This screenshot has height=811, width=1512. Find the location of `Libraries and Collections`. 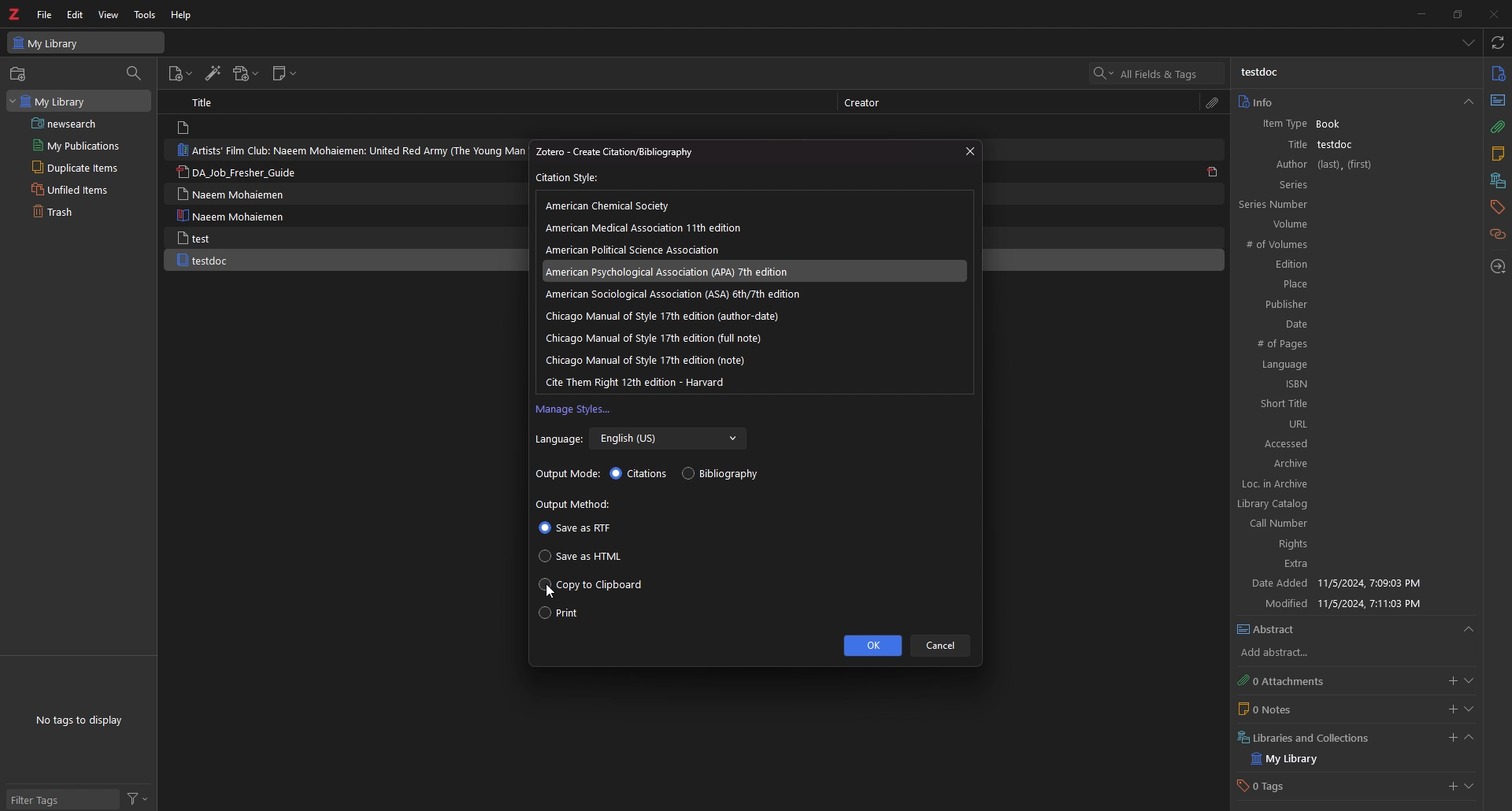

Libraries and Collections is located at coordinates (1309, 736).